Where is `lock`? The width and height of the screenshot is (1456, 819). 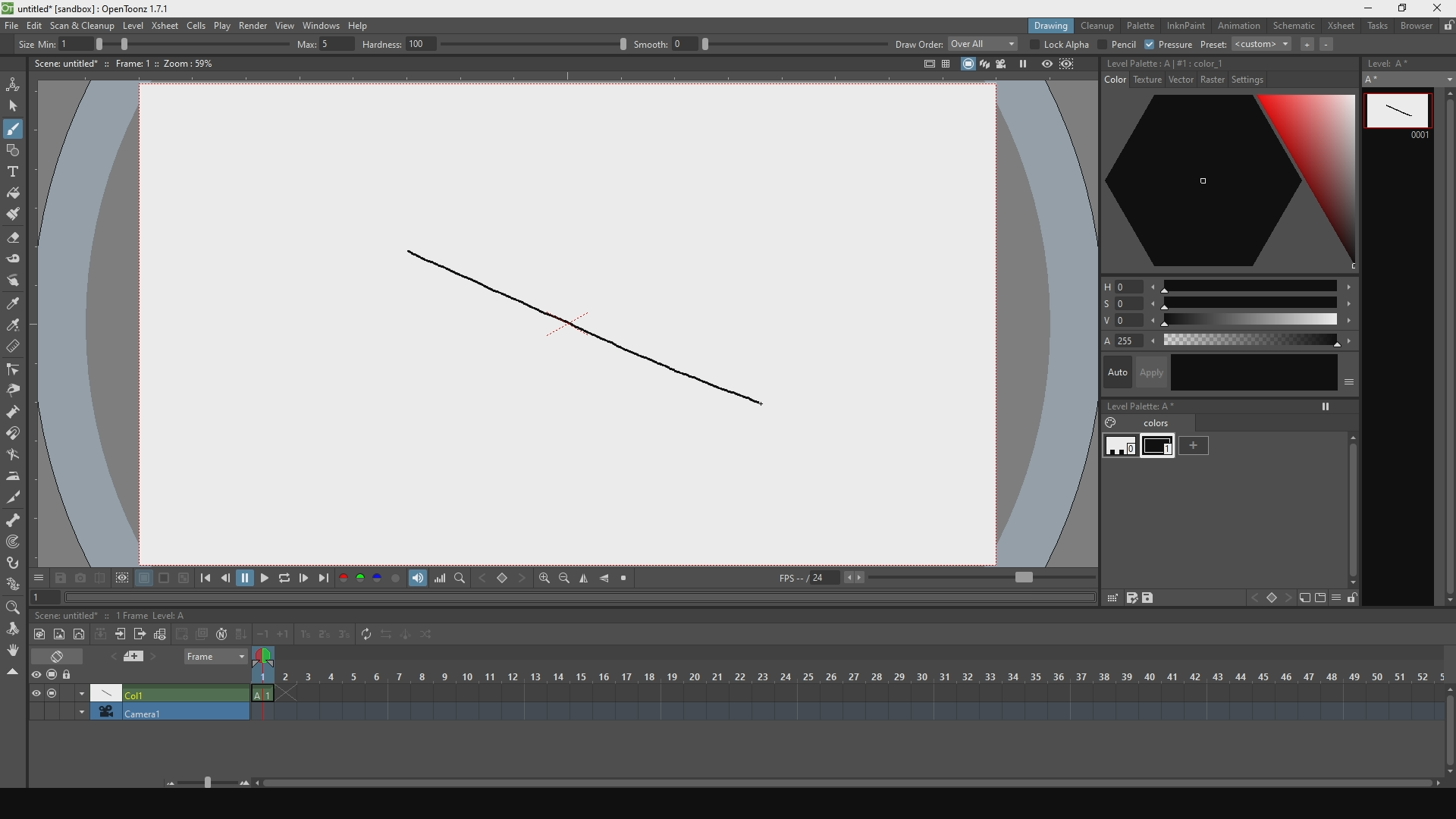 lock is located at coordinates (1447, 27).